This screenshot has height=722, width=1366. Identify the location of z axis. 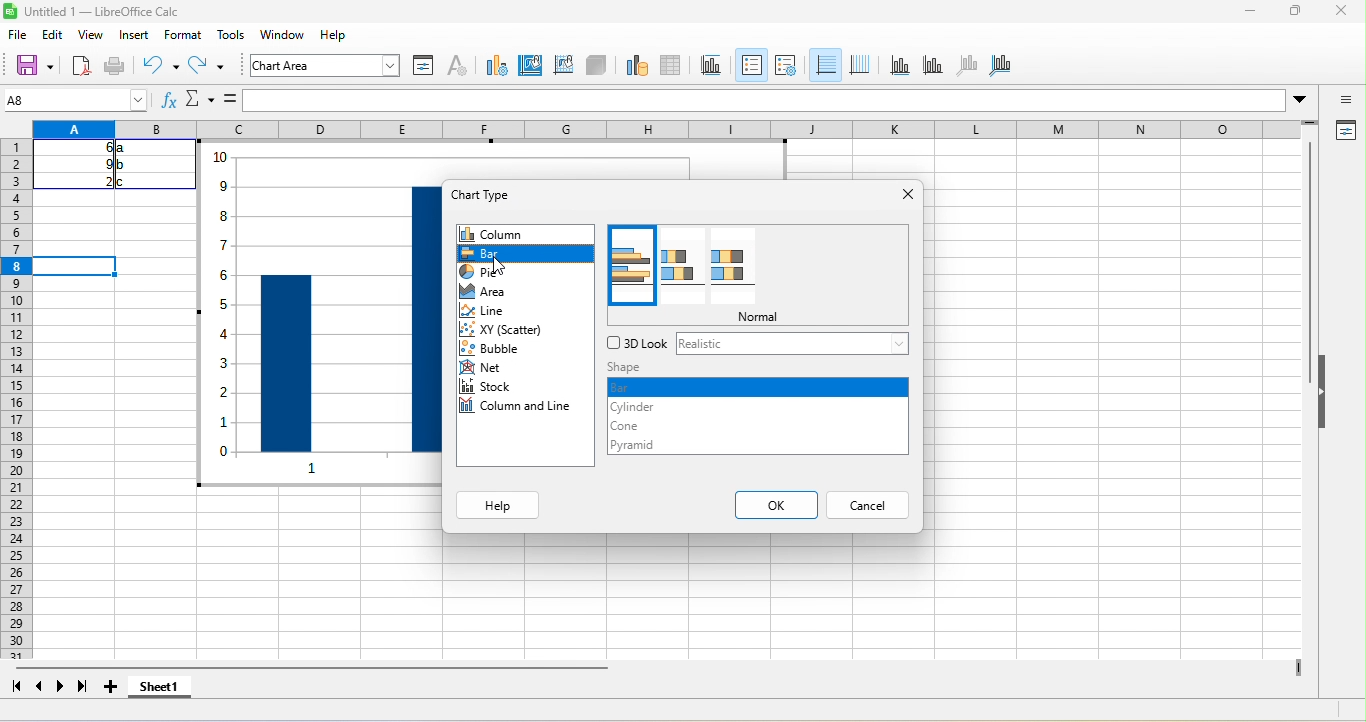
(964, 66).